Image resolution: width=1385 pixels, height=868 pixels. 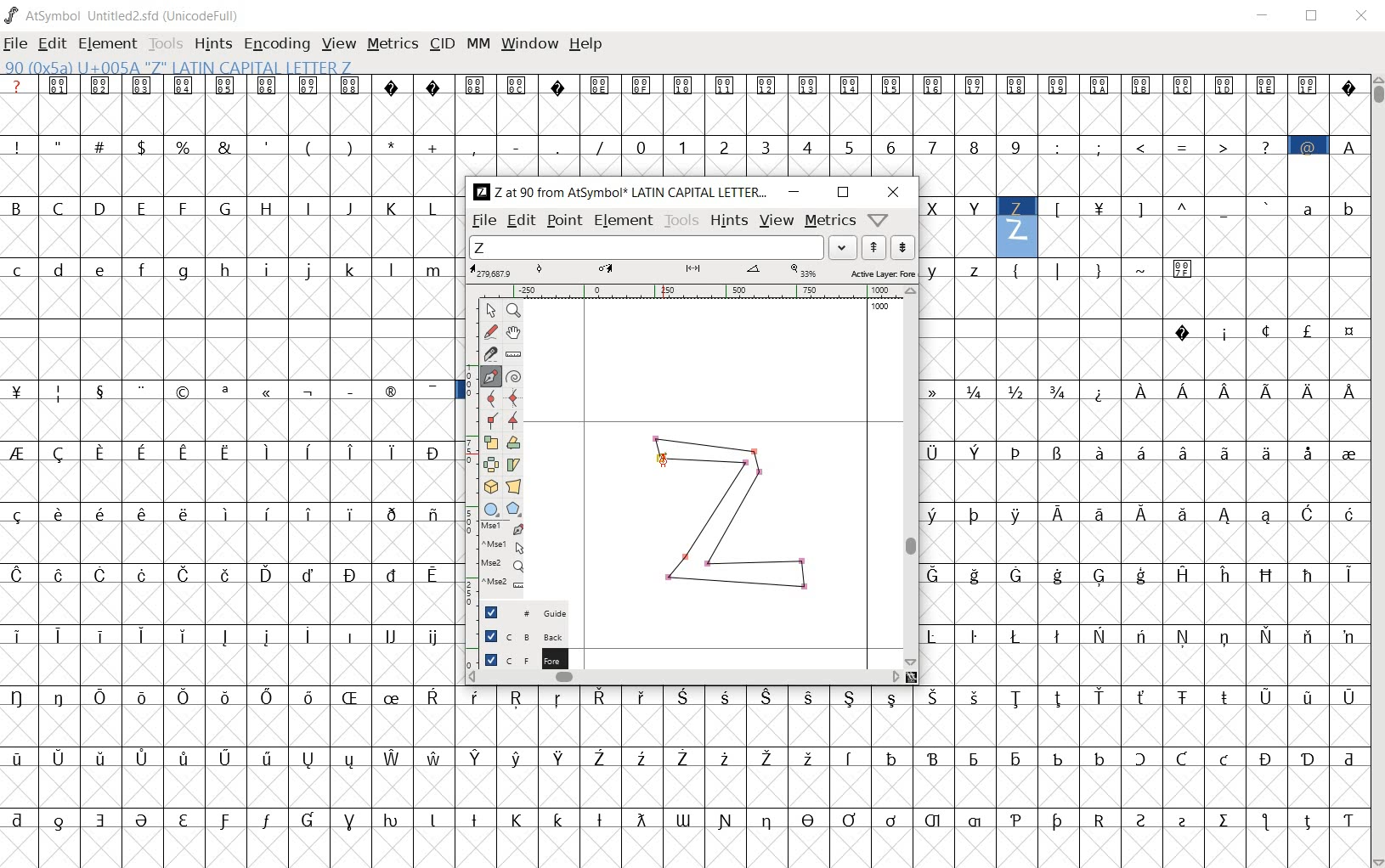 I want to click on polygon or star, so click(x=514, y=510).